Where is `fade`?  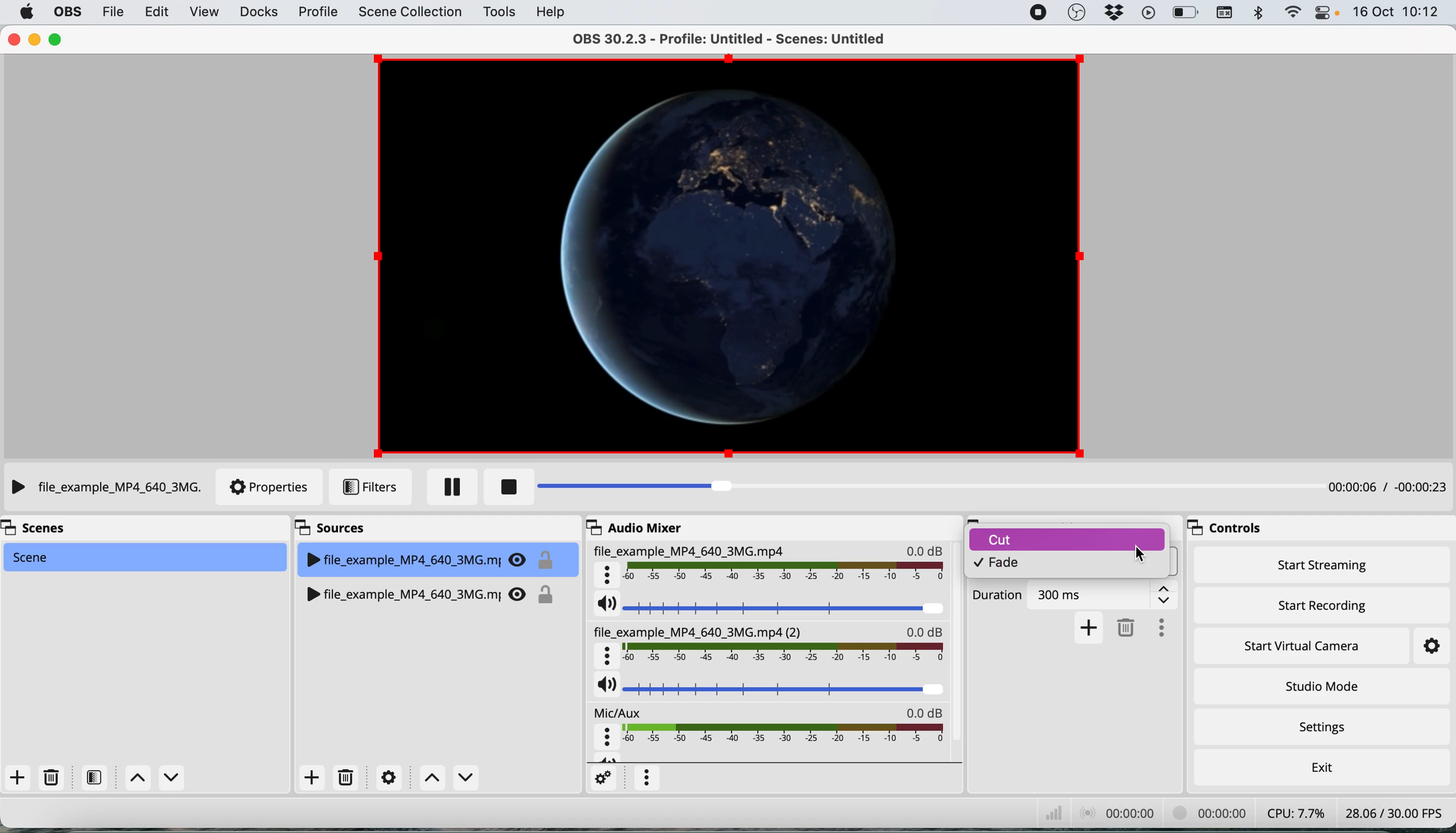 fade is located at coordinates (1000, 562).